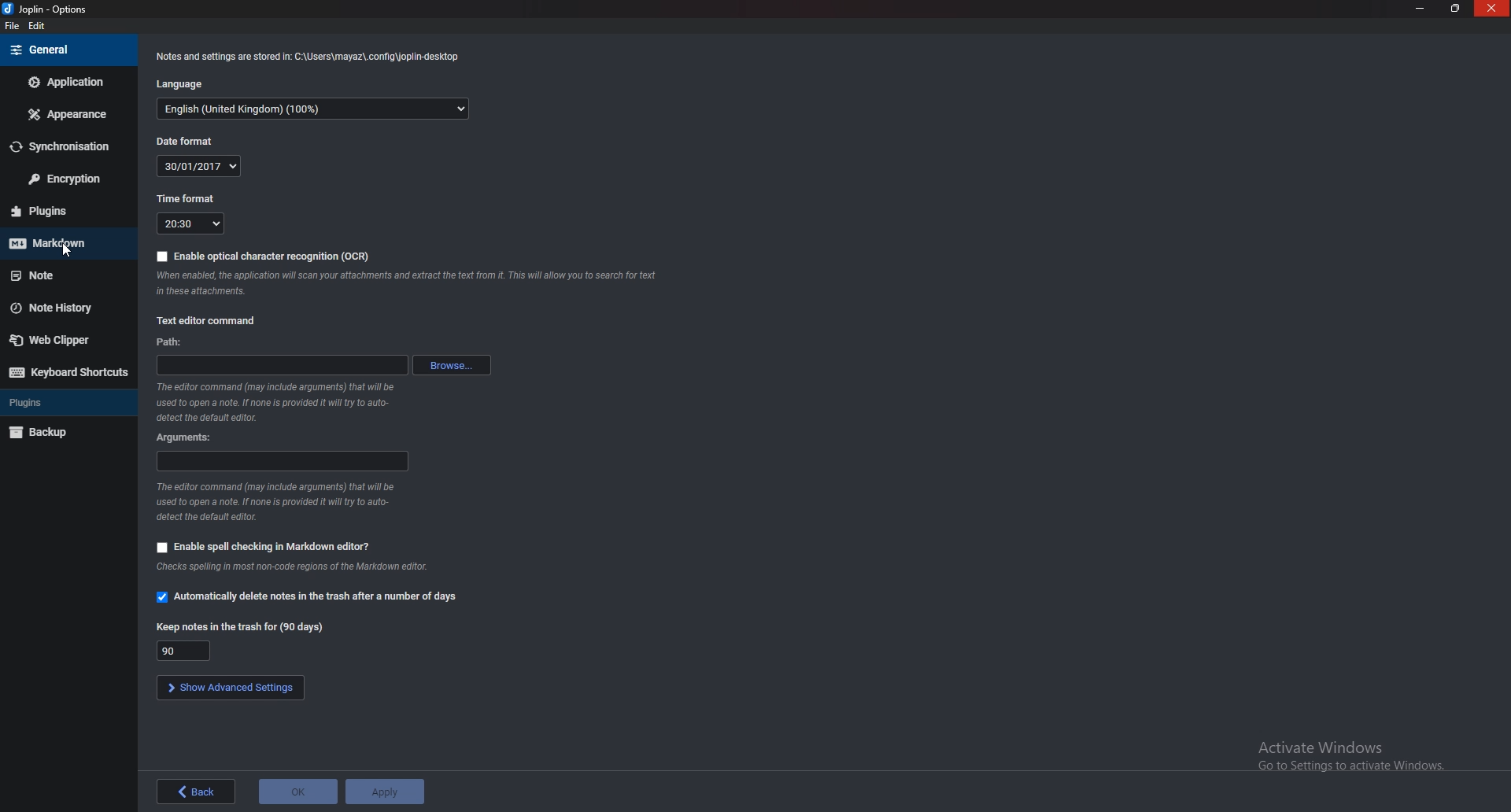  Describe the element at coordinates (49, 8) in the screenshot. I see `options` at that location.